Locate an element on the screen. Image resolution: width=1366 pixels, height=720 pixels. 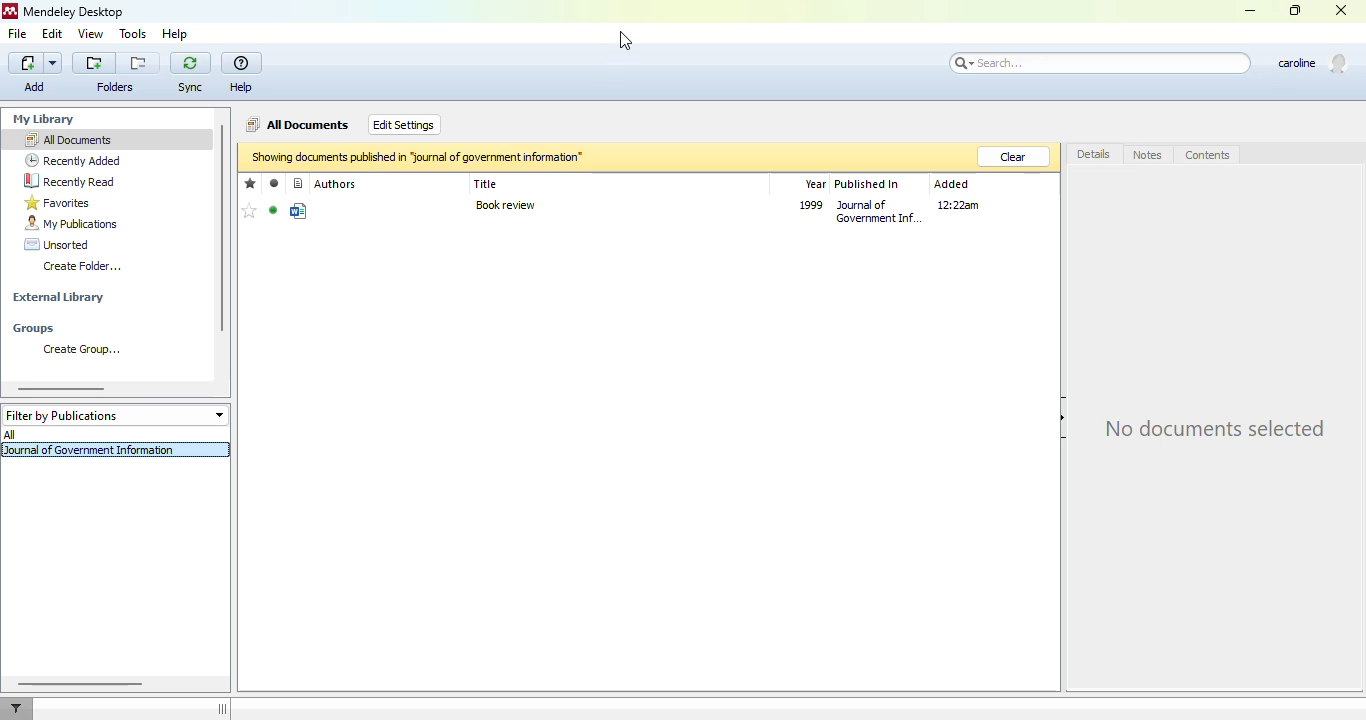
Add folder is located at coordinates (94, 63).